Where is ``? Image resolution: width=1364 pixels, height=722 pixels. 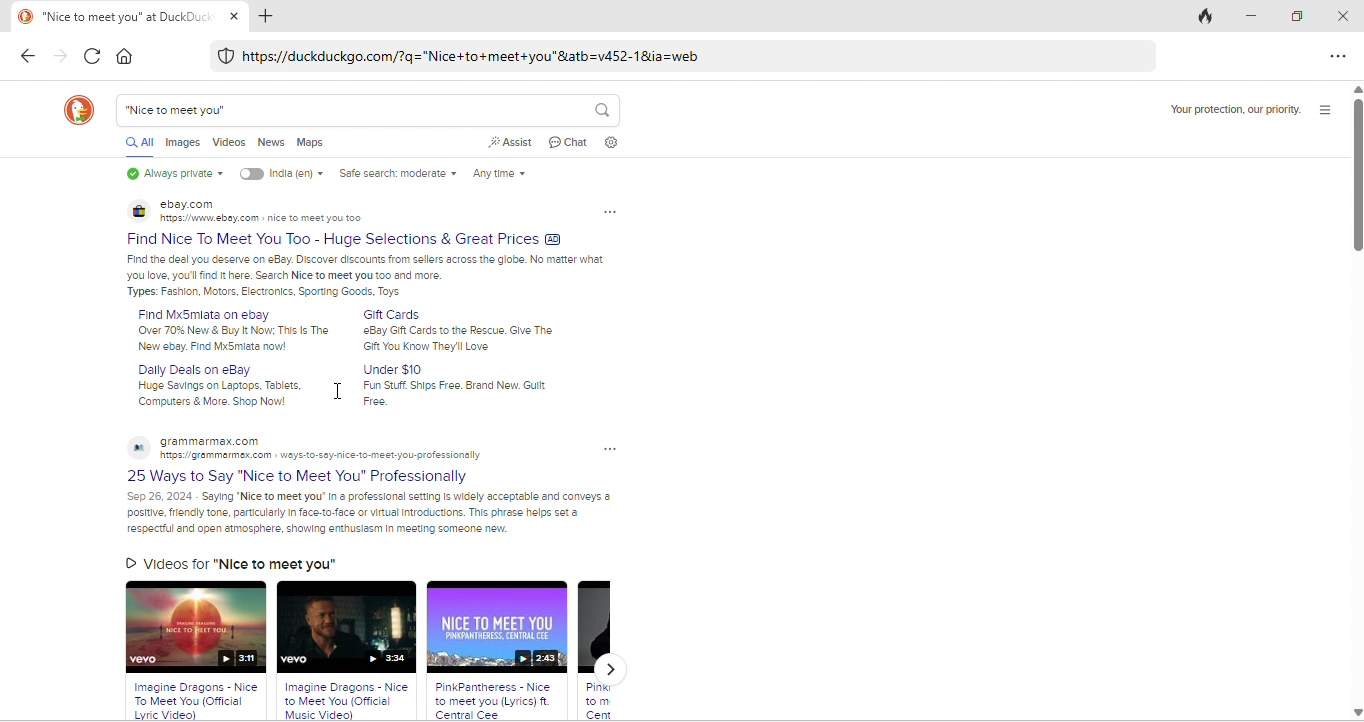
 is located at coordinates (345, 701).